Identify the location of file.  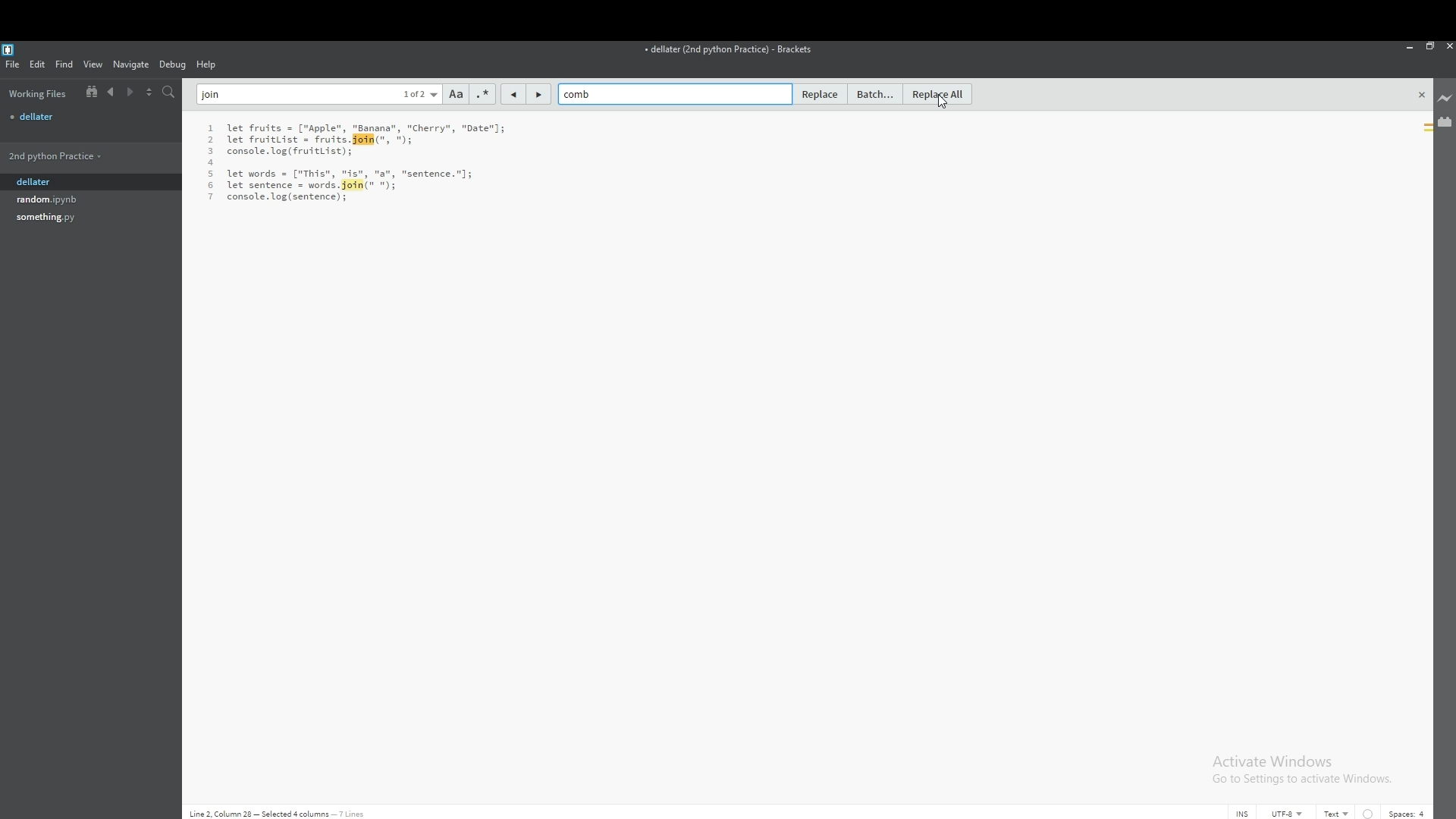
(71, 199).